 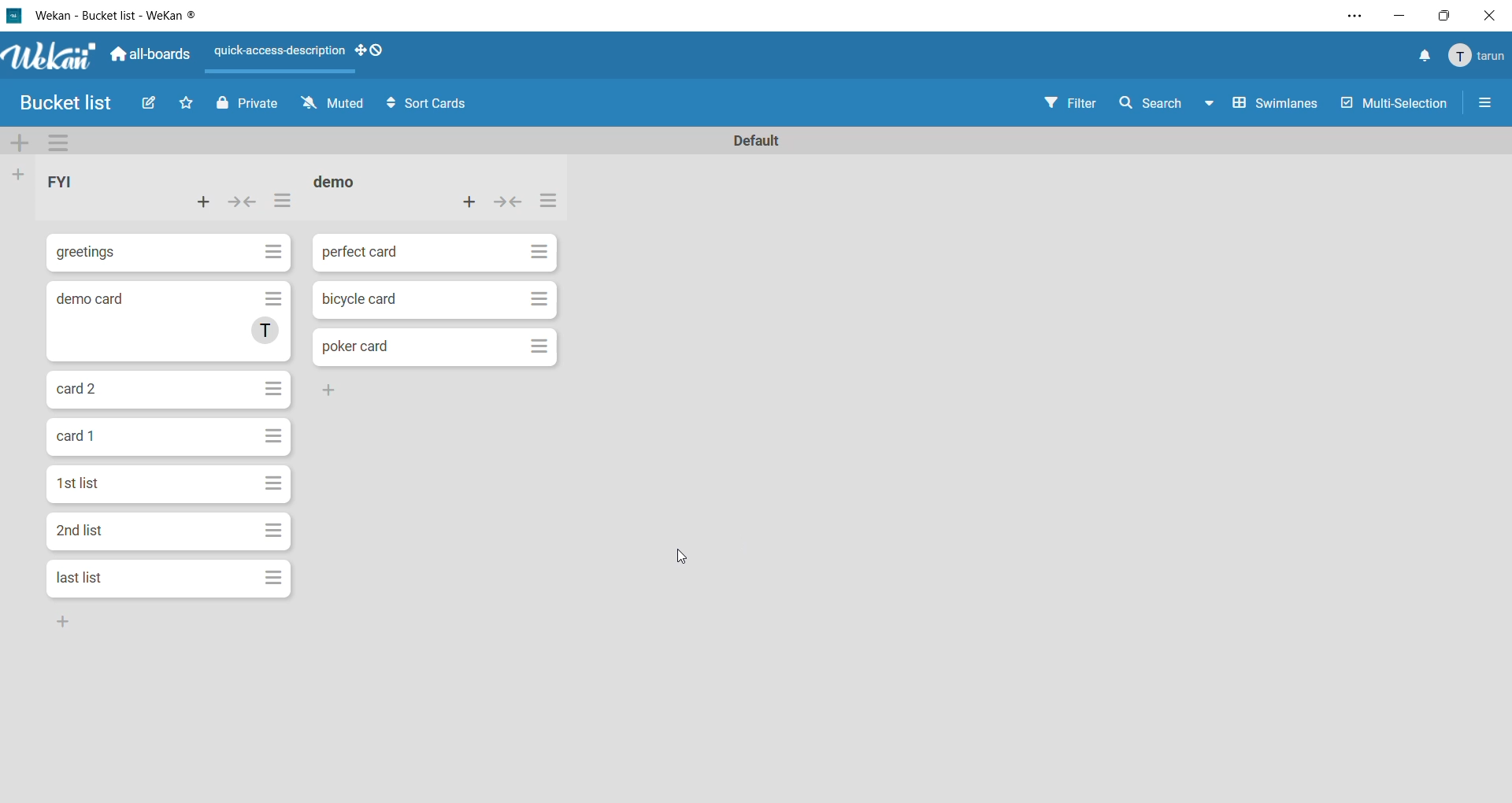 I want to click on sort cards, so click(x=431, y=105).